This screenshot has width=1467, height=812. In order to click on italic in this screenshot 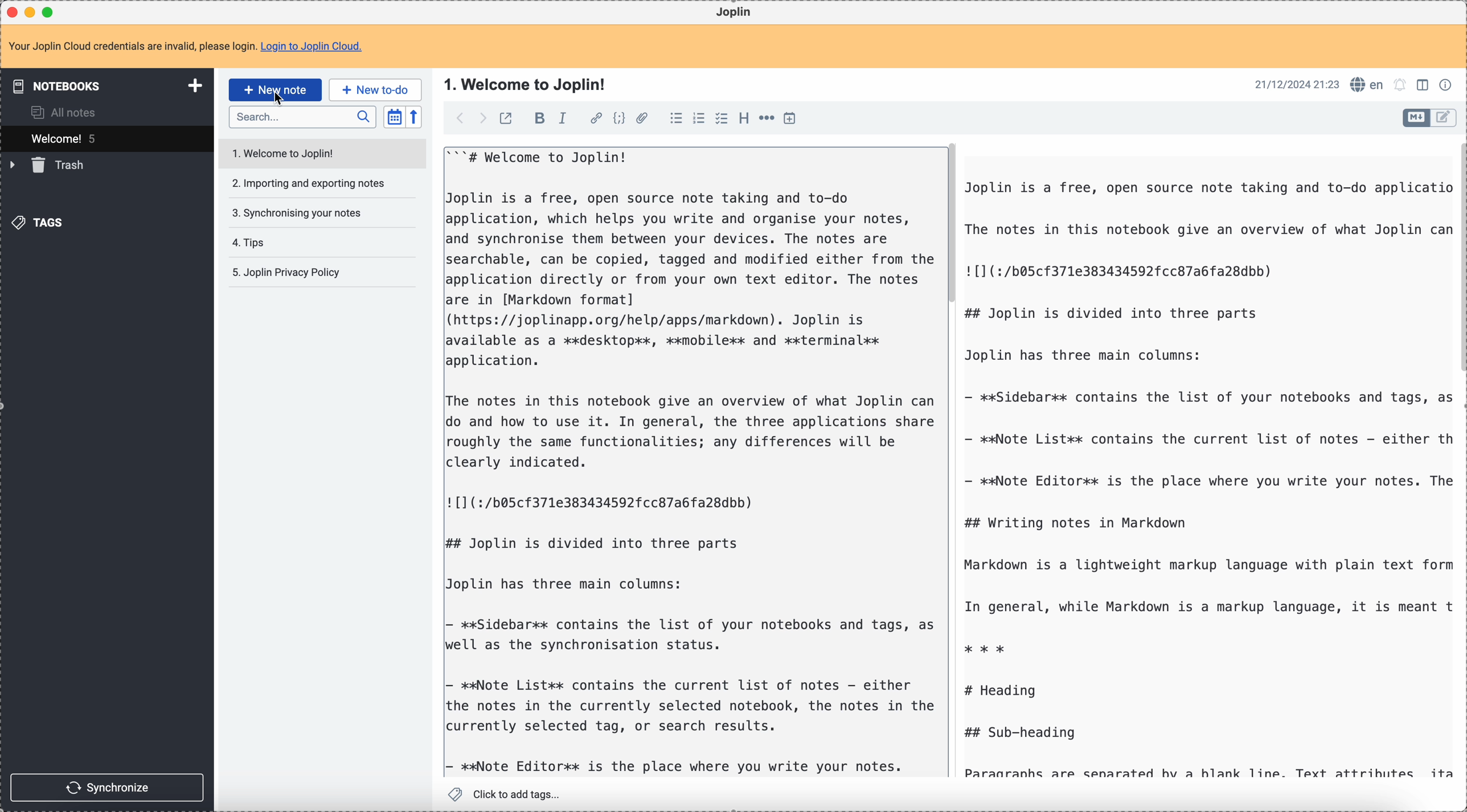, I will do `click(564, 119)`.